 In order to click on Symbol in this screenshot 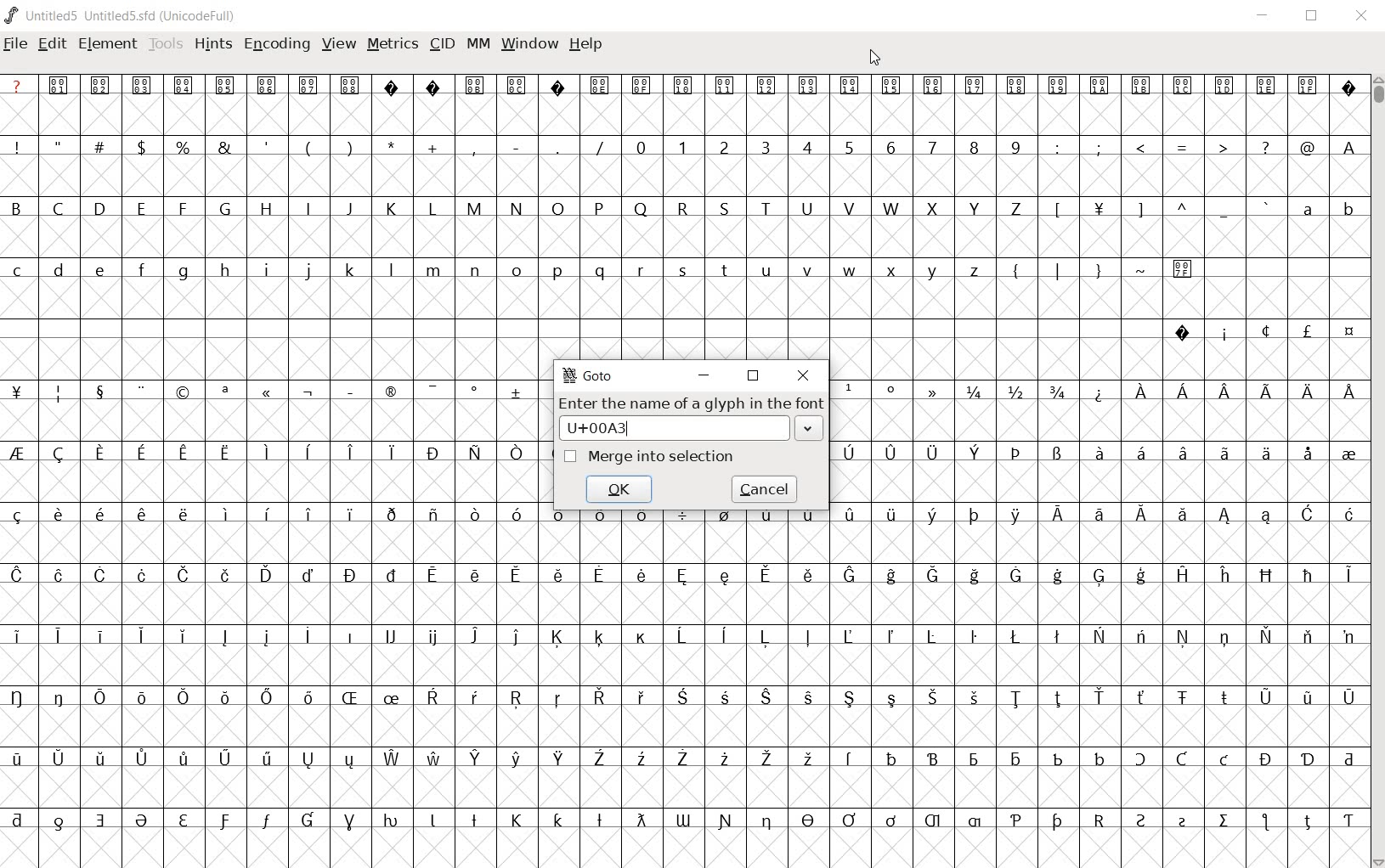, I will do `click(308, 513)`.